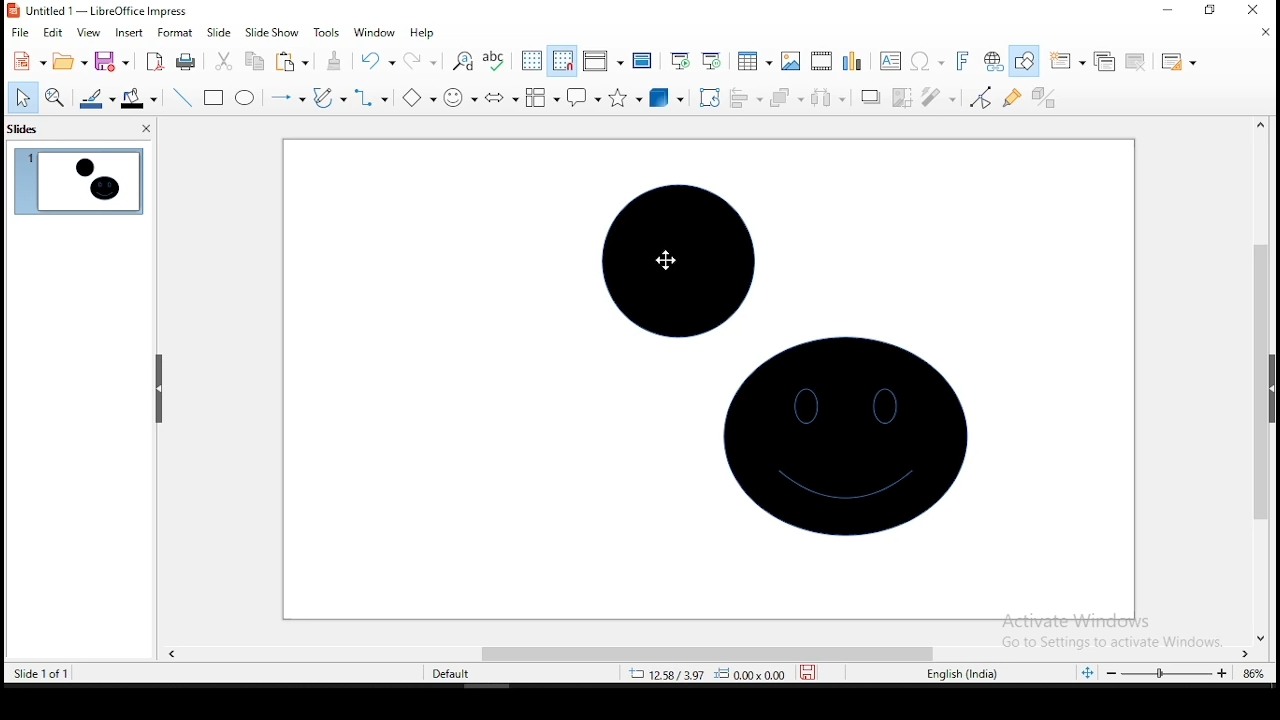 The height and width of the screenshot is (720, 1280). What do you see at coordinates (153, 62) in the screenshot?
I see `export as PDF` at bounding box center [153, 62].